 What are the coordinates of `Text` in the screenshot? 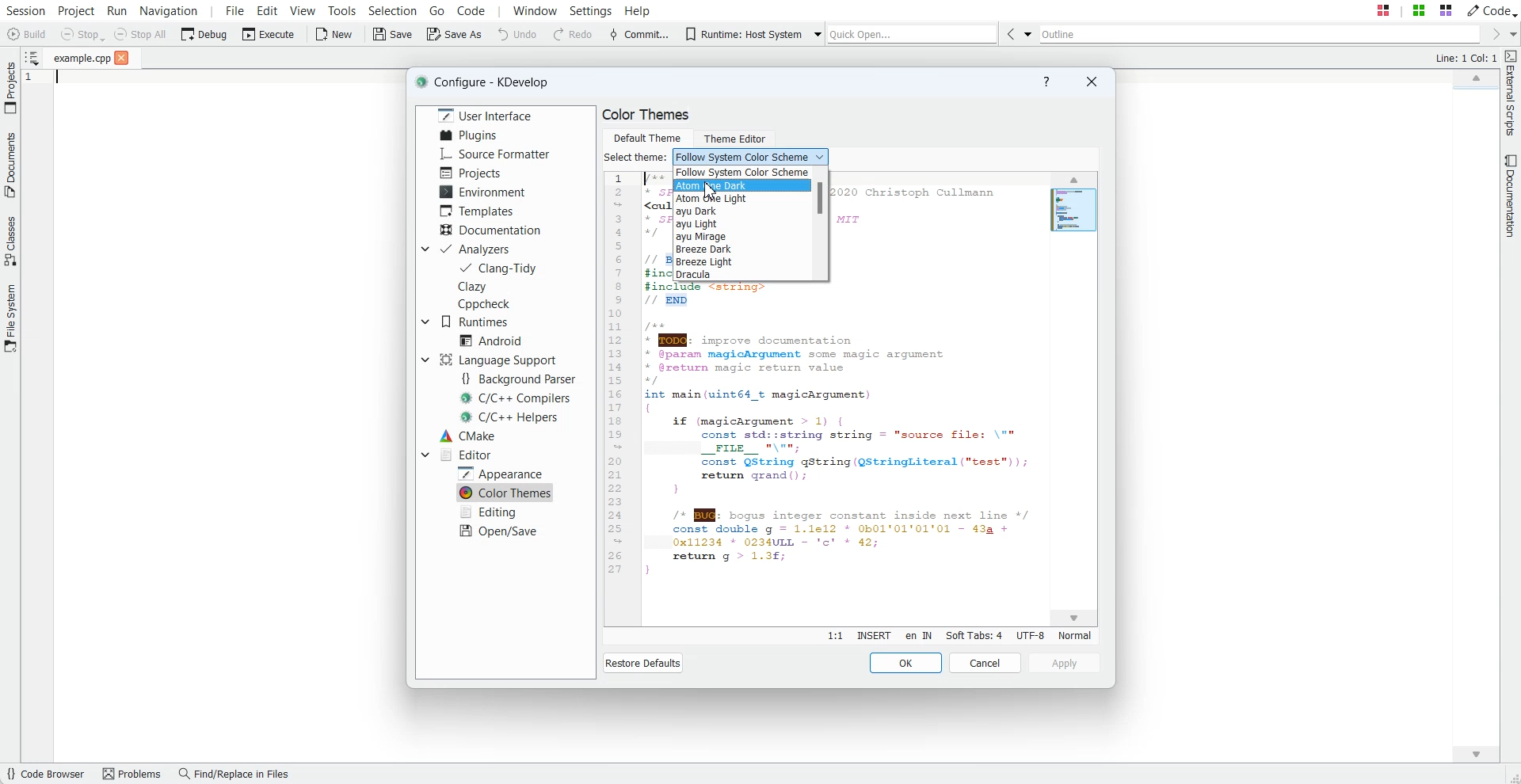 It's located at (489, 82).